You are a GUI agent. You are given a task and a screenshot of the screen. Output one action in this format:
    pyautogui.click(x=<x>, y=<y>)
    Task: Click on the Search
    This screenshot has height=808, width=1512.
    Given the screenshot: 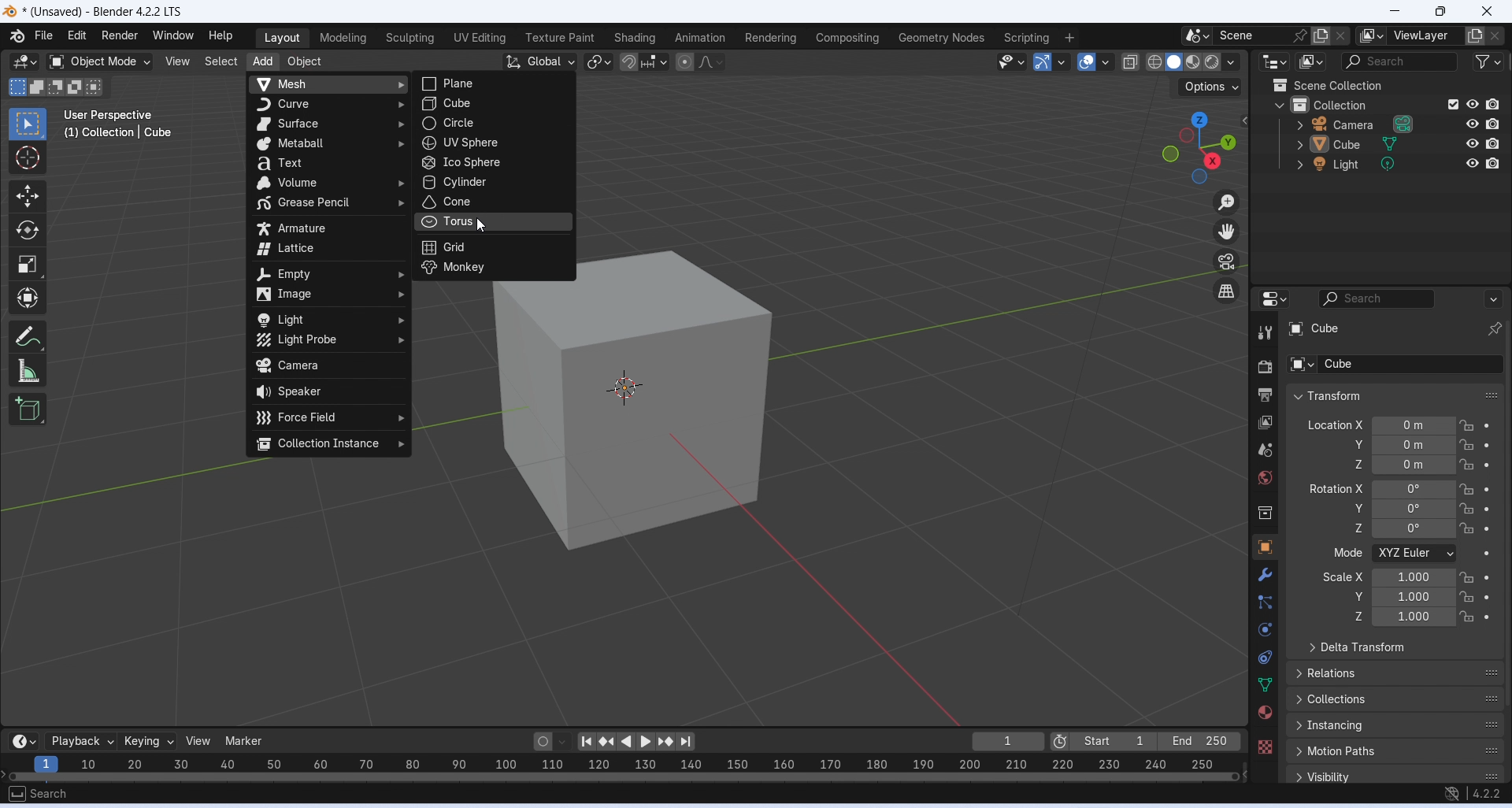 What is the action you would take?
    pyautogui.click(x=1410, y=298)
    